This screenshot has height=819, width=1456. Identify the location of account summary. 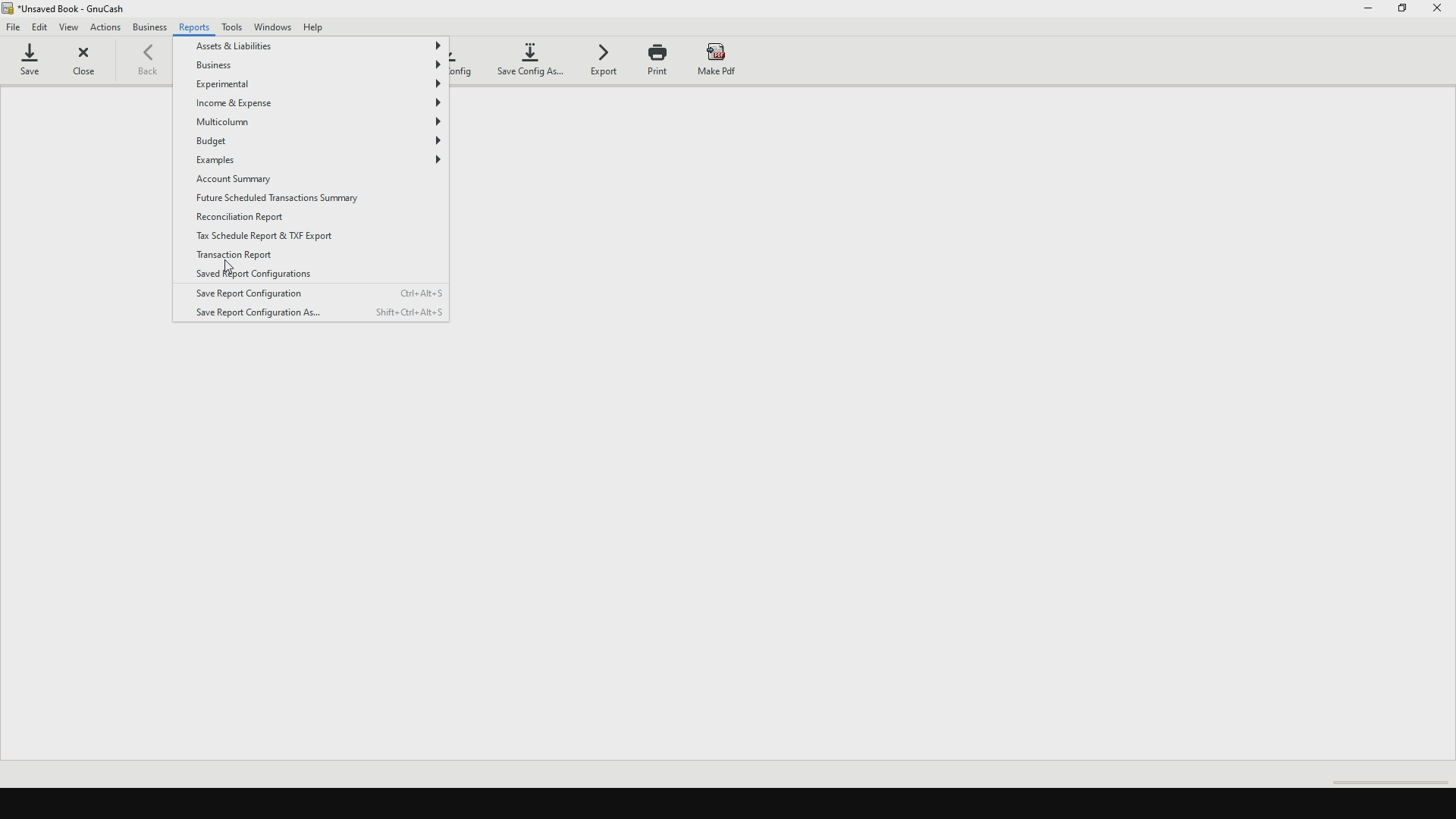
(256, 180).